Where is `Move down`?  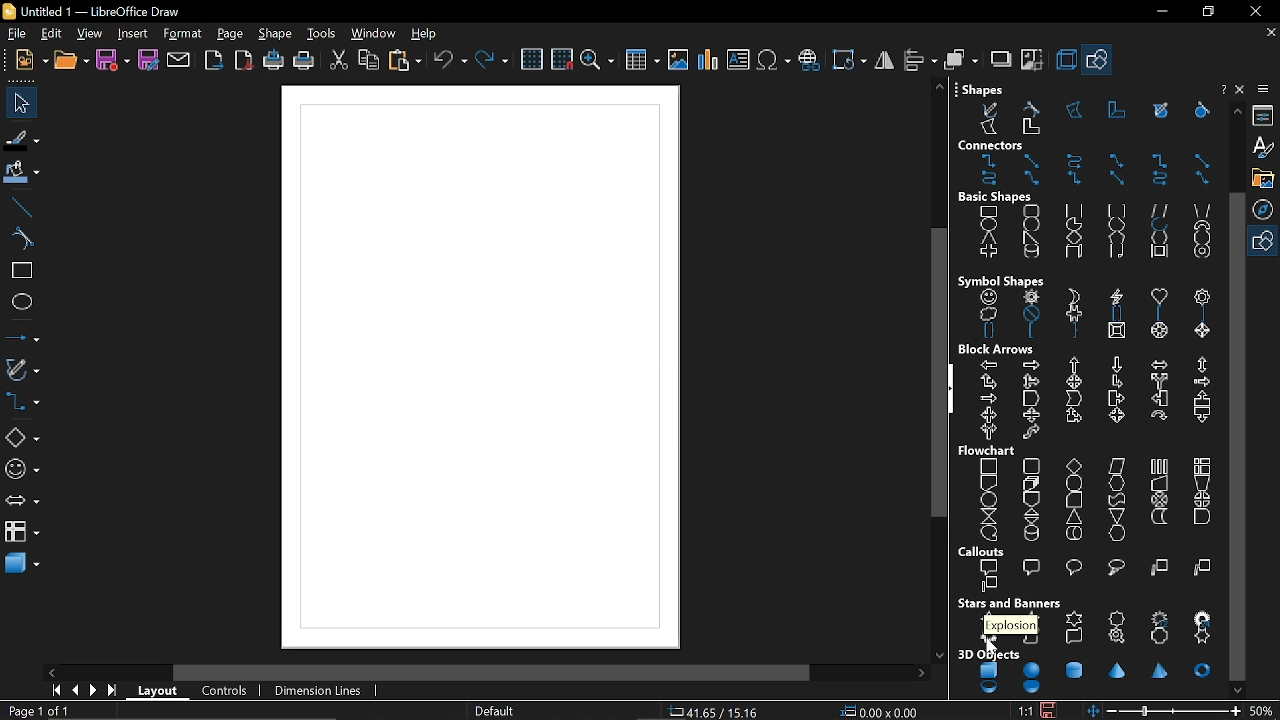 Move down is located at coordinates (1239, 690).